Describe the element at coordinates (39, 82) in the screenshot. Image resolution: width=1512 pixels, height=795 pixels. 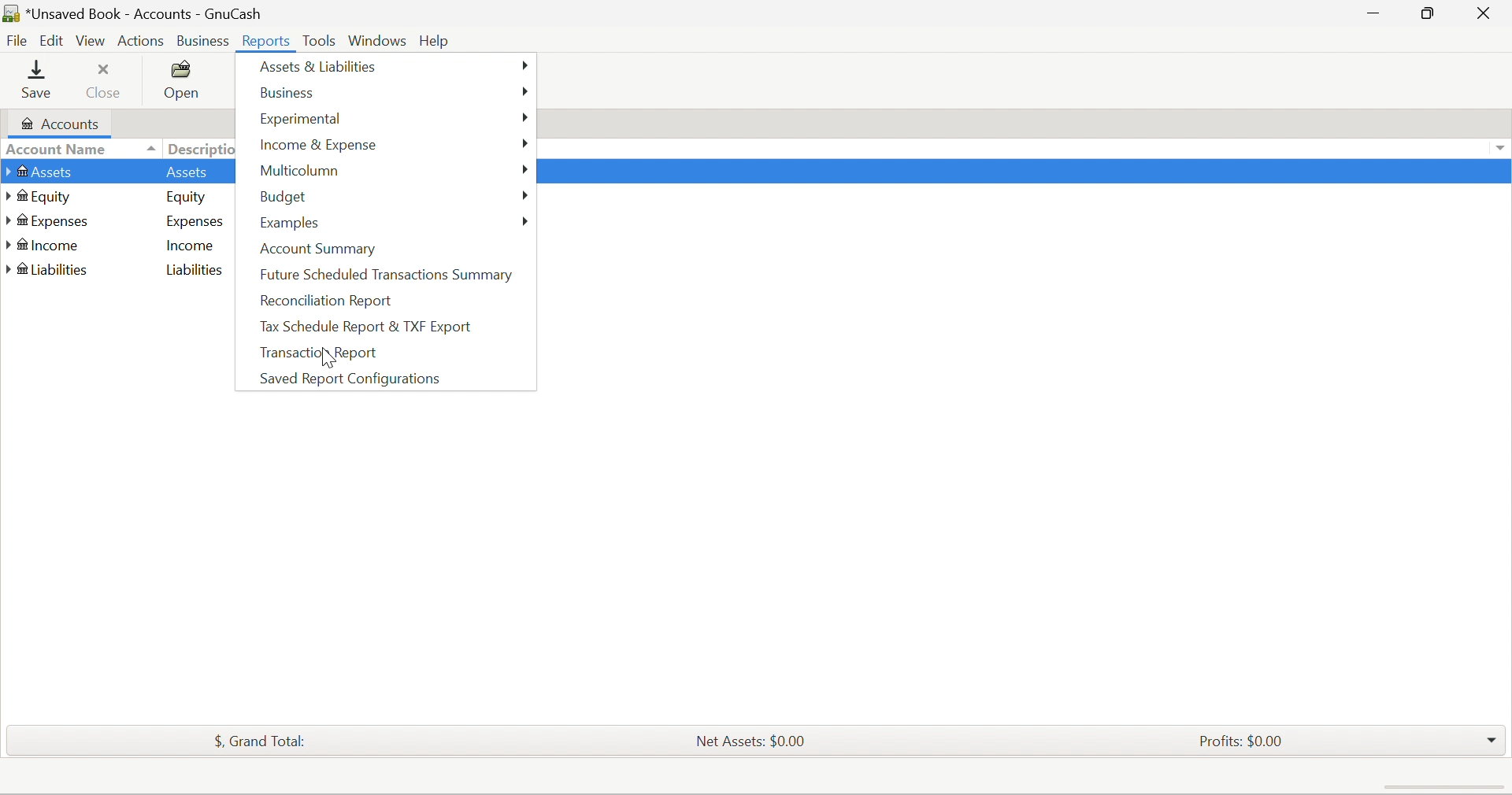
I see `Save` at that location.